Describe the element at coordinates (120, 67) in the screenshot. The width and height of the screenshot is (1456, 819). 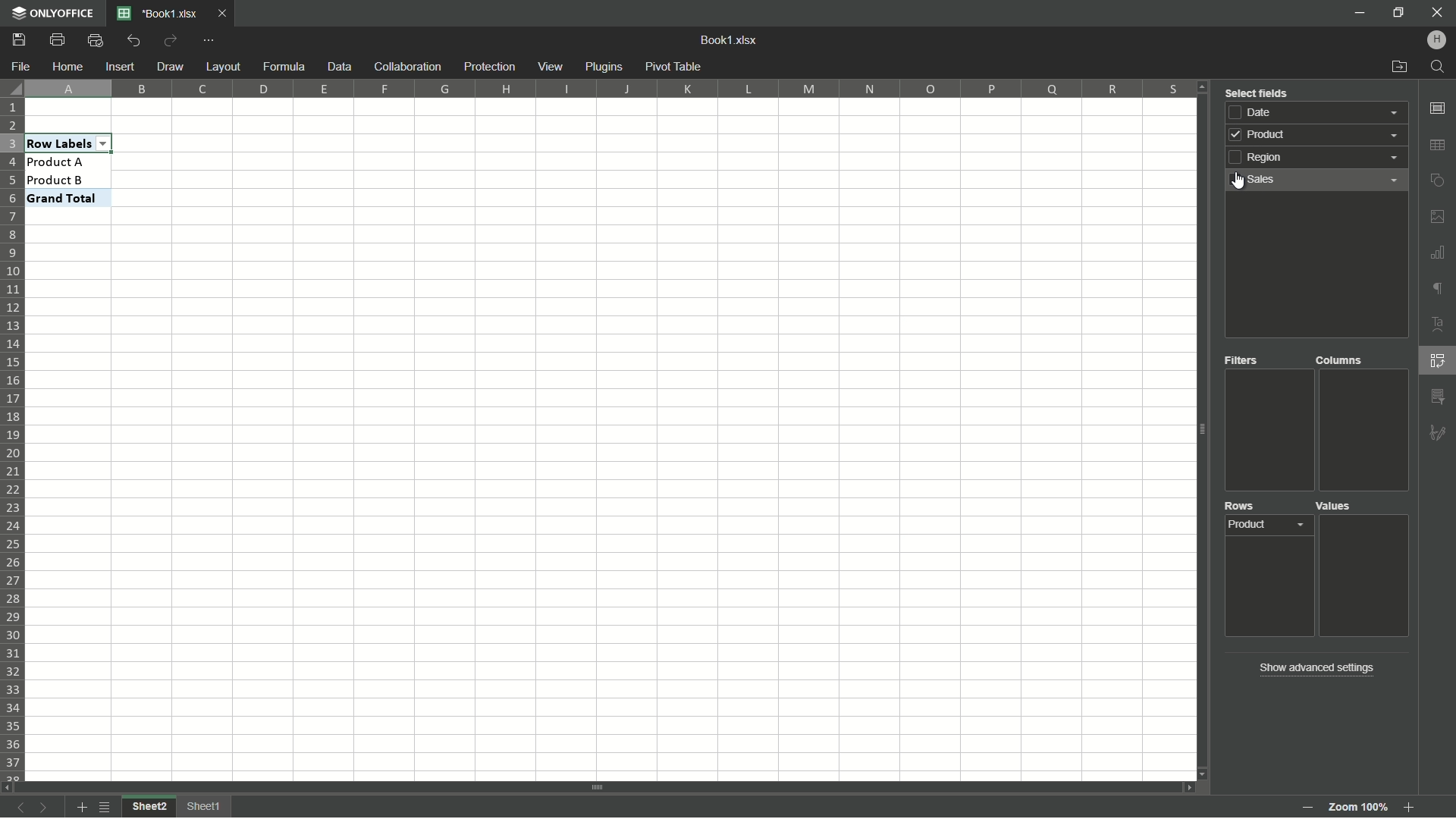
I see `Insert` at that location.